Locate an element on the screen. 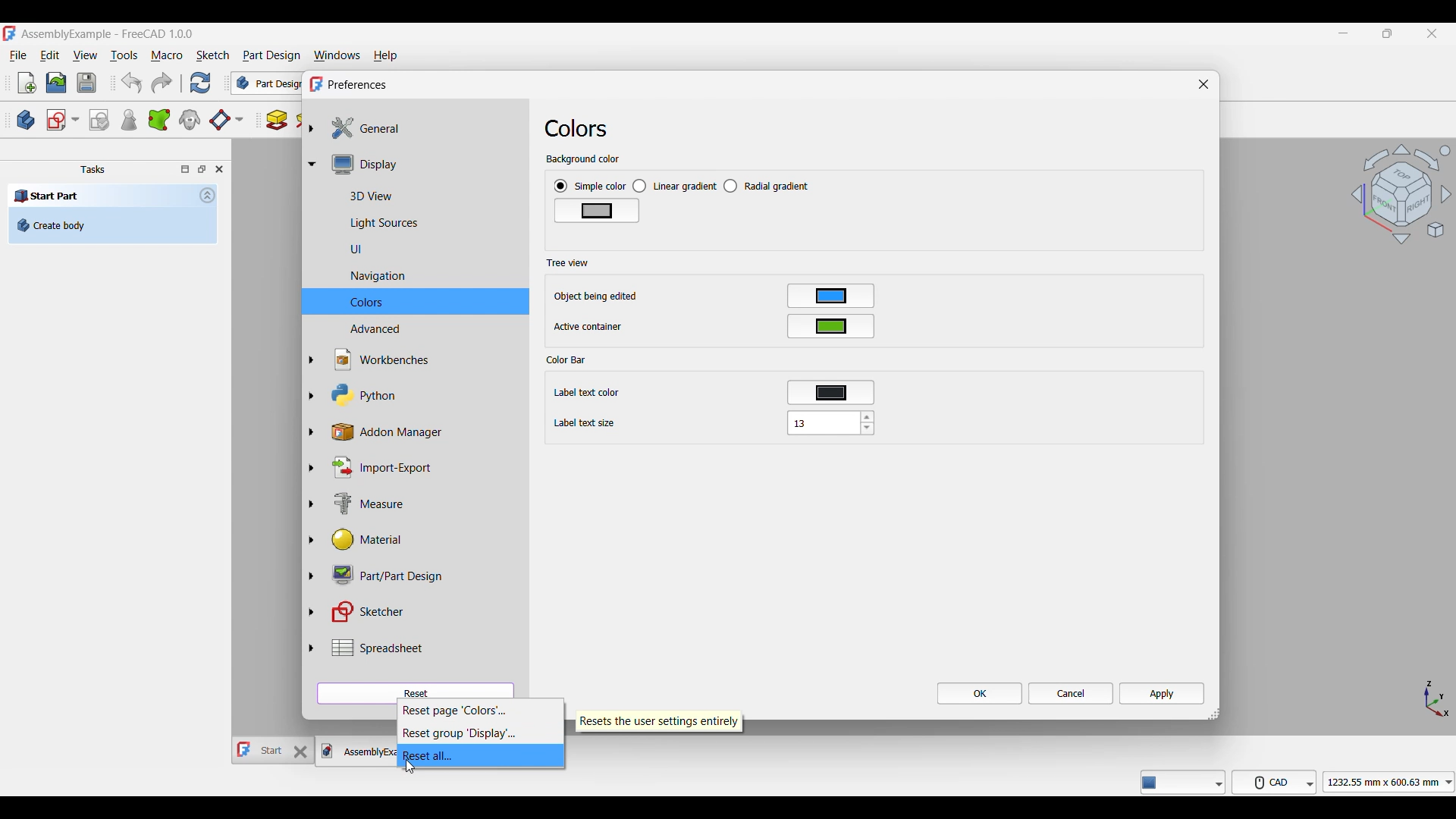 The image size is (1456, 819). Cancel is located at coordinates (1072, 693).